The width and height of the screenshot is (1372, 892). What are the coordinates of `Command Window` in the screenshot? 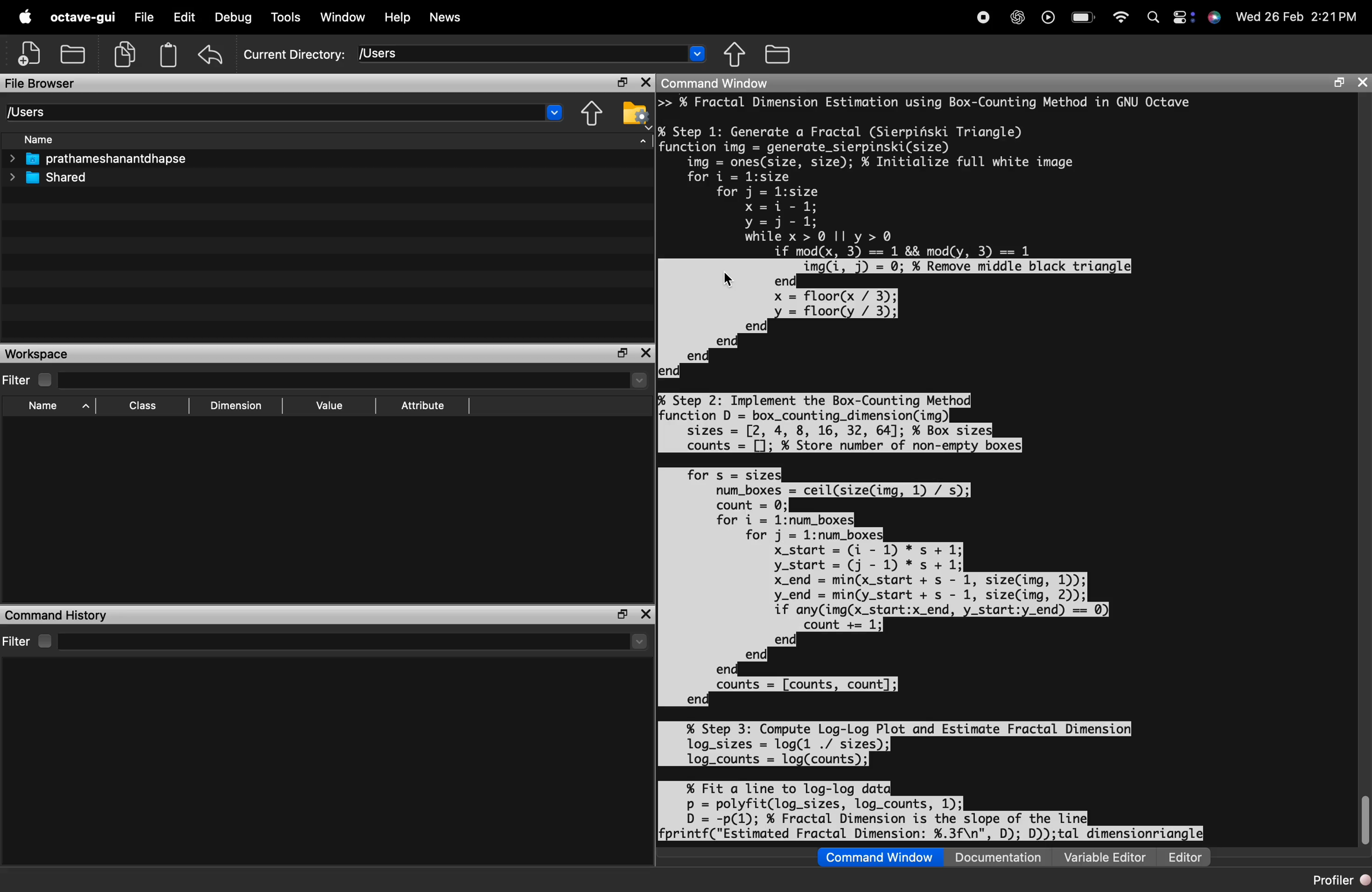 It's located at (716, 81).